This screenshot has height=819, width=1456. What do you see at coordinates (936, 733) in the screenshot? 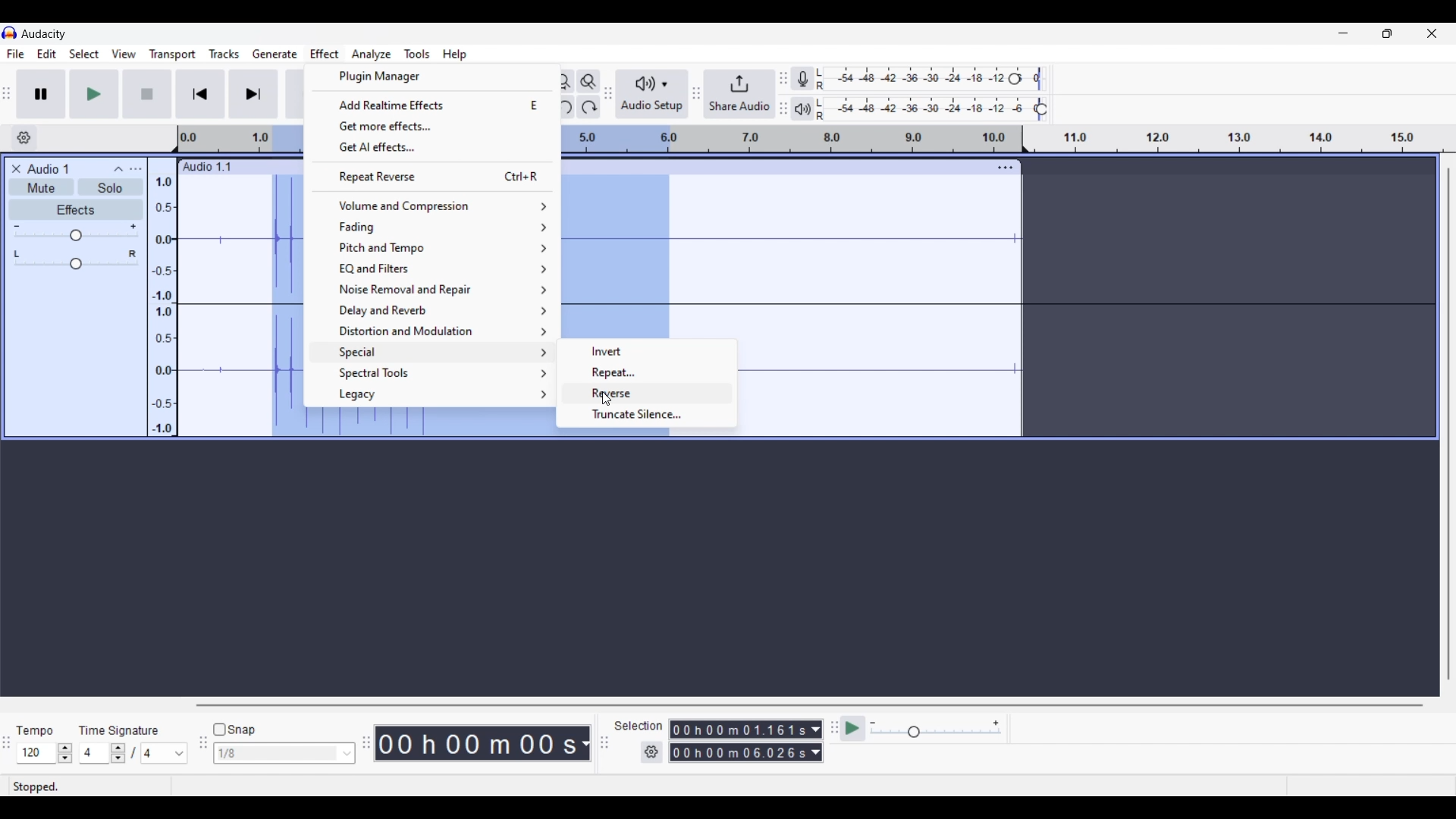
I see `Slider to change playback speed` at bounding box center [936, 733].